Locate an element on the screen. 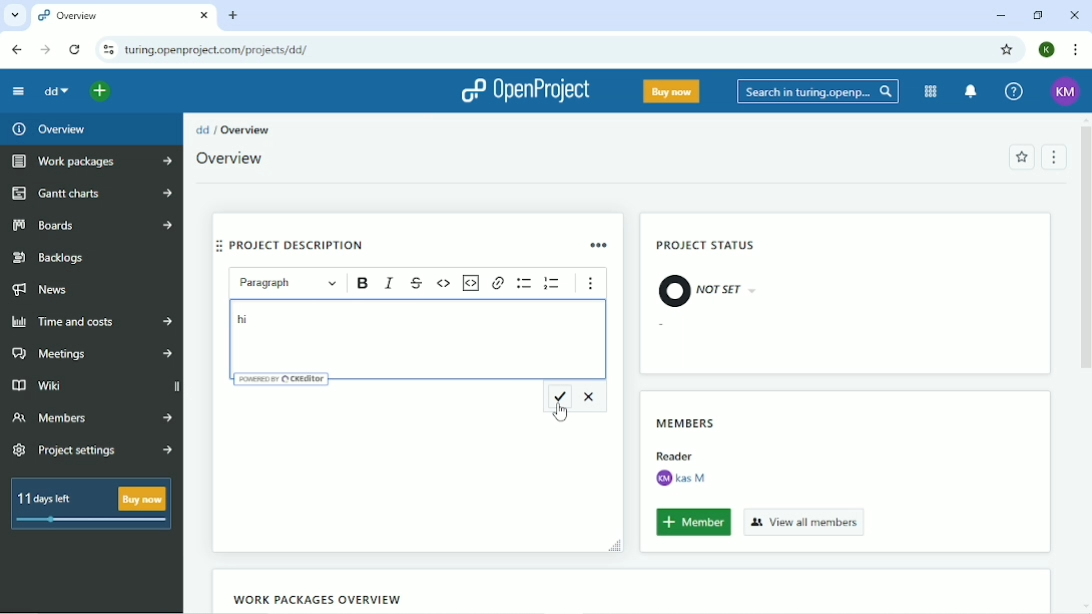 The height and width of the screenshot is (614, 1092). News is located at coordinates (44, 291).